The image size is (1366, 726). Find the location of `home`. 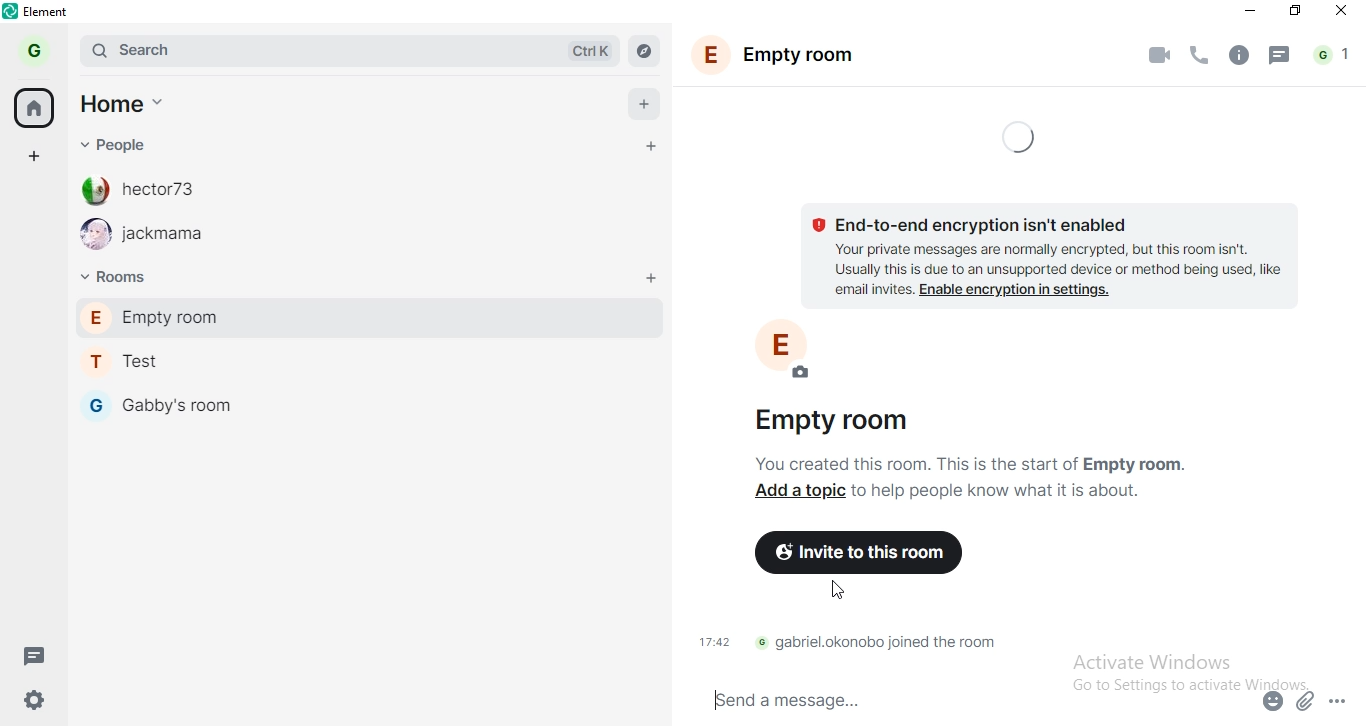

home is located at coordinates (34, 104).